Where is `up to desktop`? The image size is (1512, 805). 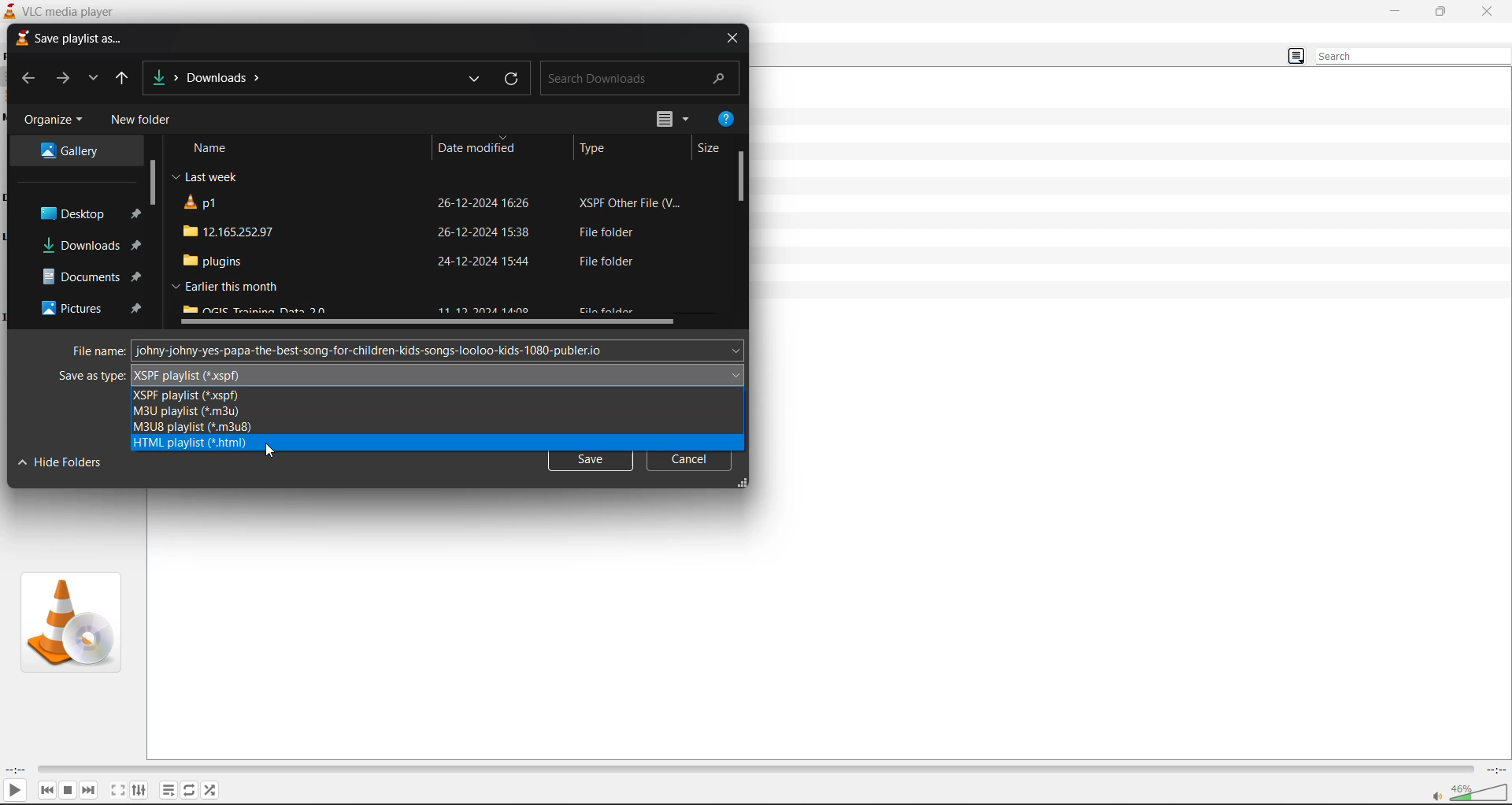
up to desktop is located at coordinates (127, 80).